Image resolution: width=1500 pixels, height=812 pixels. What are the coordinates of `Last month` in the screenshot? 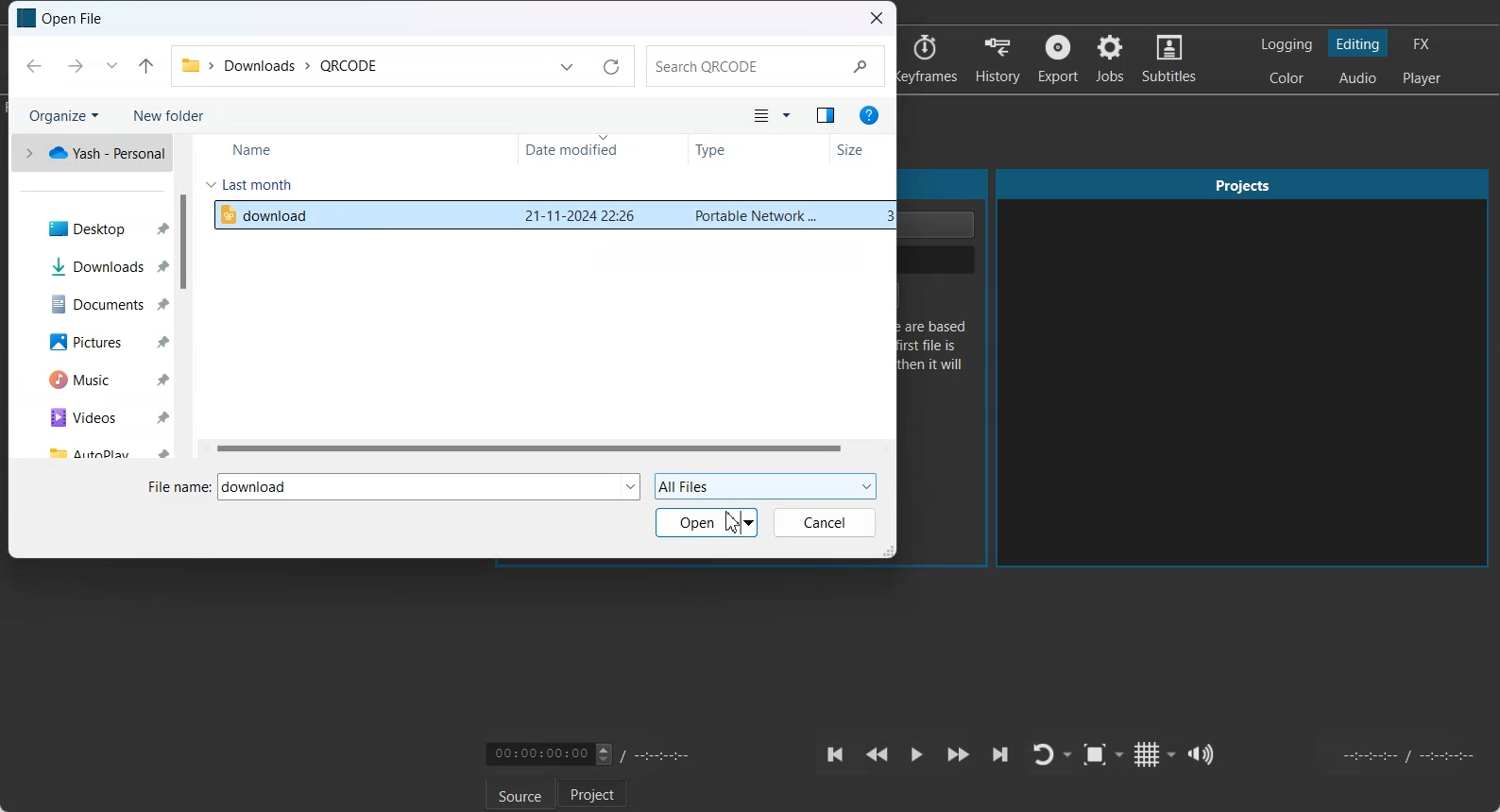 It's located at (250, 186).